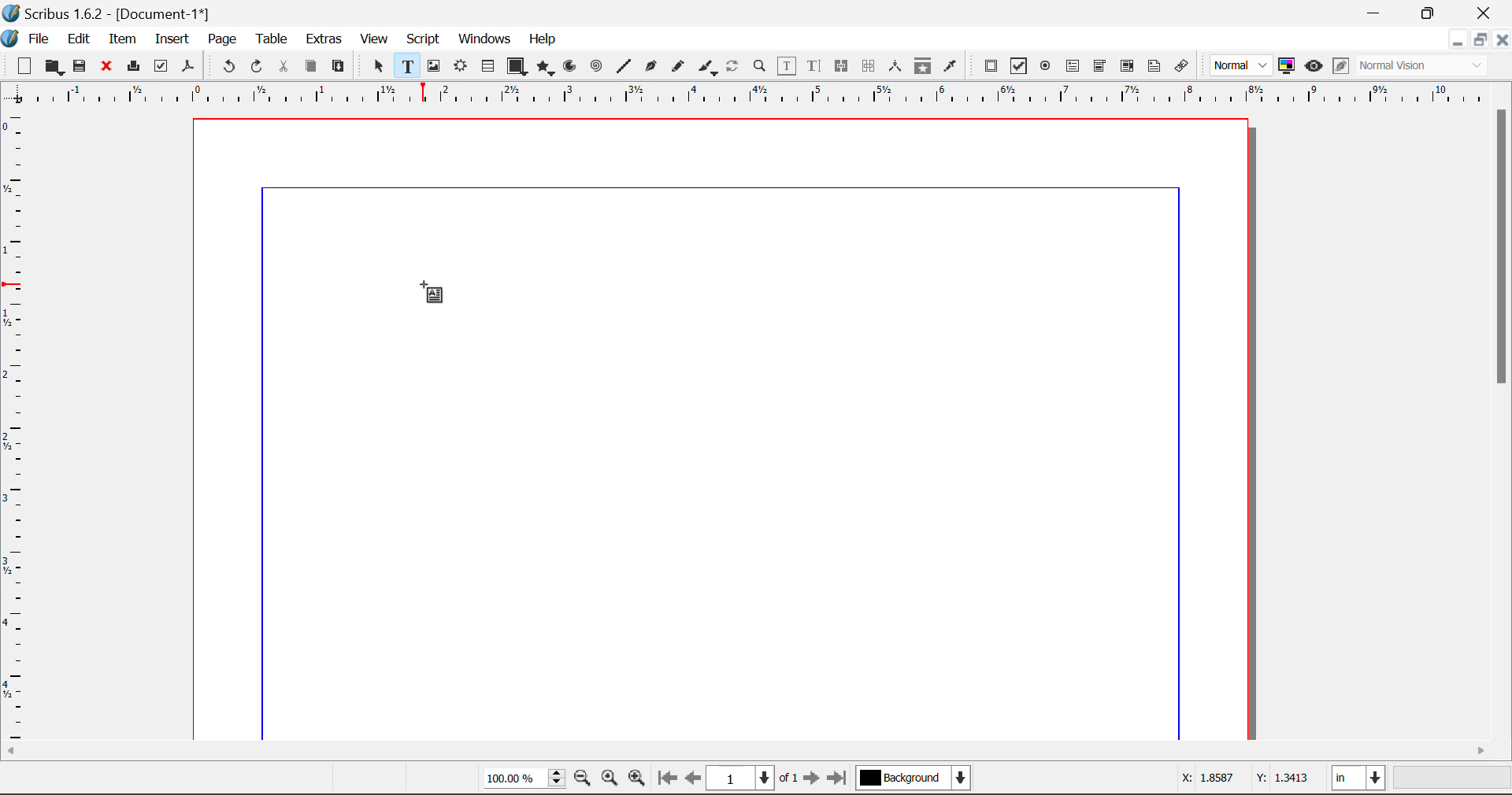 The height and width of the screenshot is (795, 1512). Describe the element at coordinates (1154, 66) in the screenshot. I see `Text Annotation` at that location.